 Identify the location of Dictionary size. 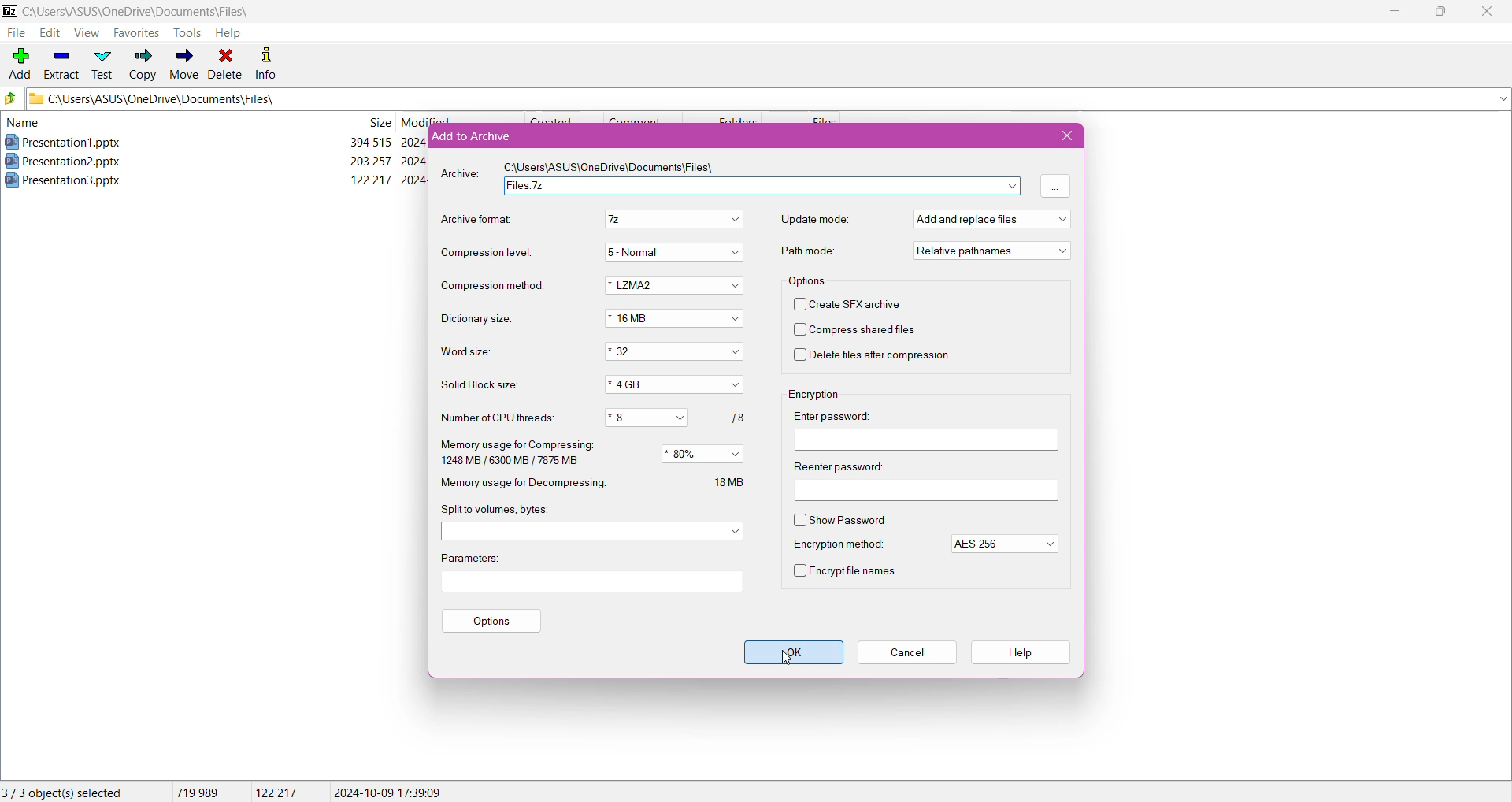
(477, 320).